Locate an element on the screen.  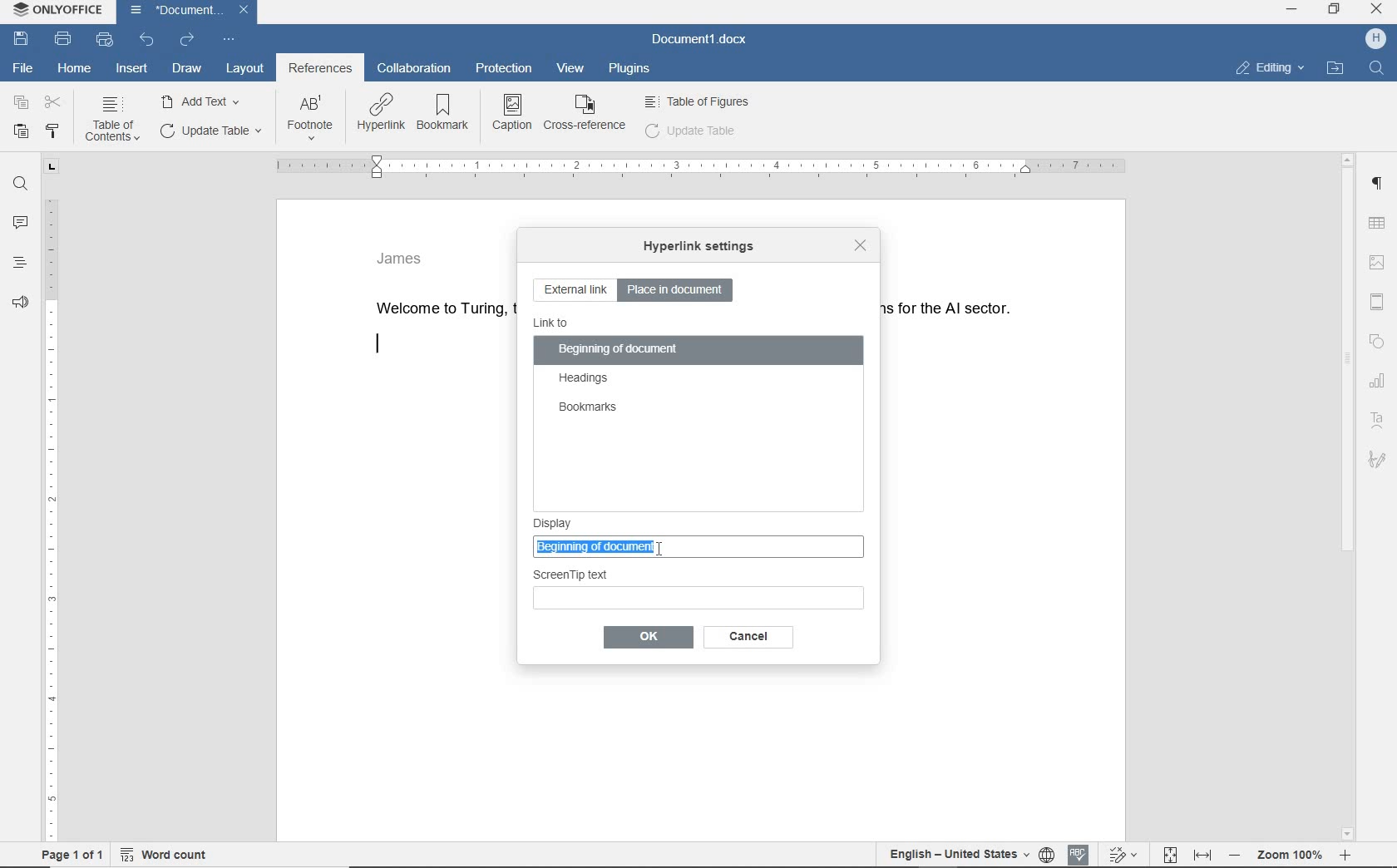
hyperlink settings is located at coordinates (698, 248).